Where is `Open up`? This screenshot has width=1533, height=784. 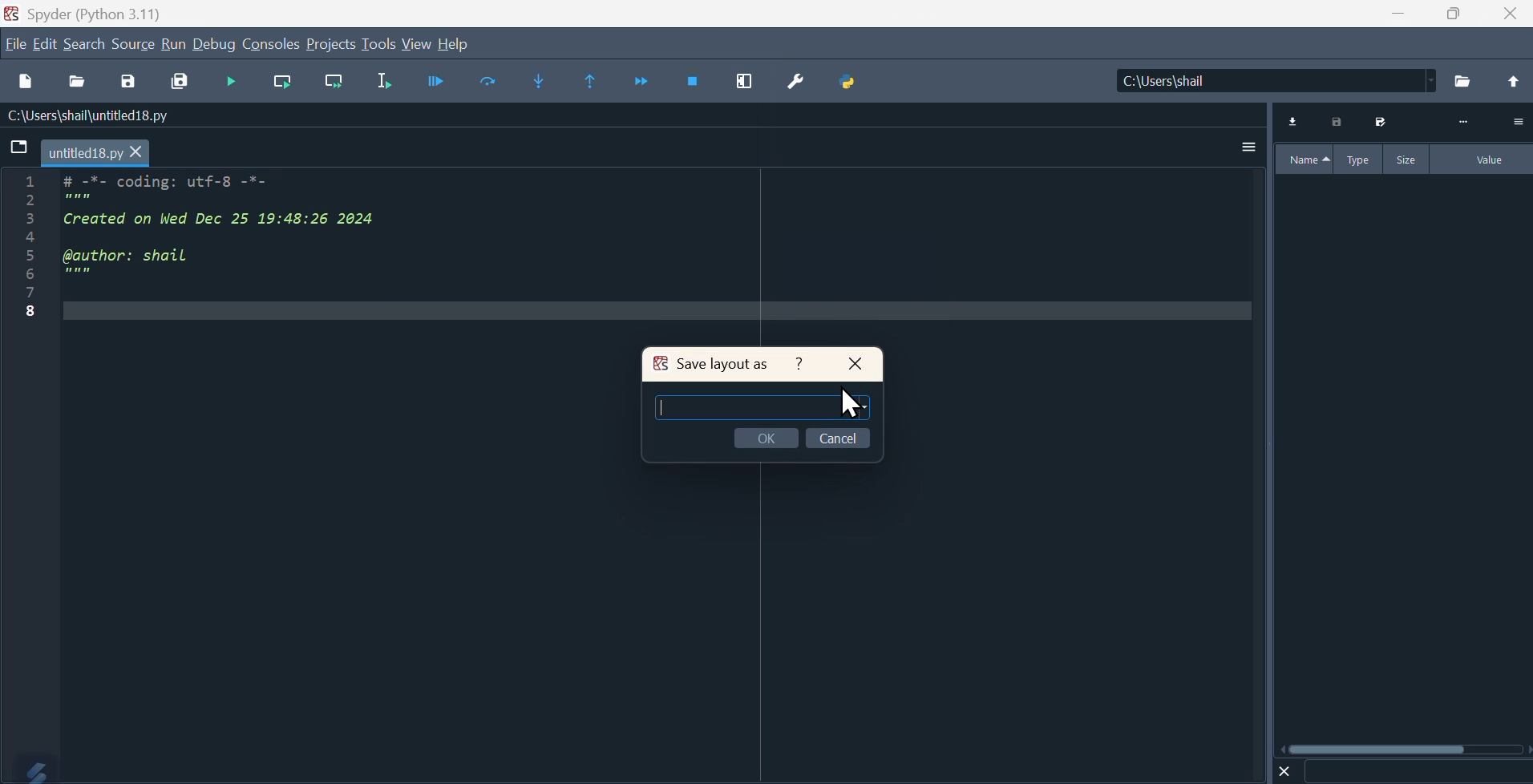
Open up is located at coordinates (1511, 83).